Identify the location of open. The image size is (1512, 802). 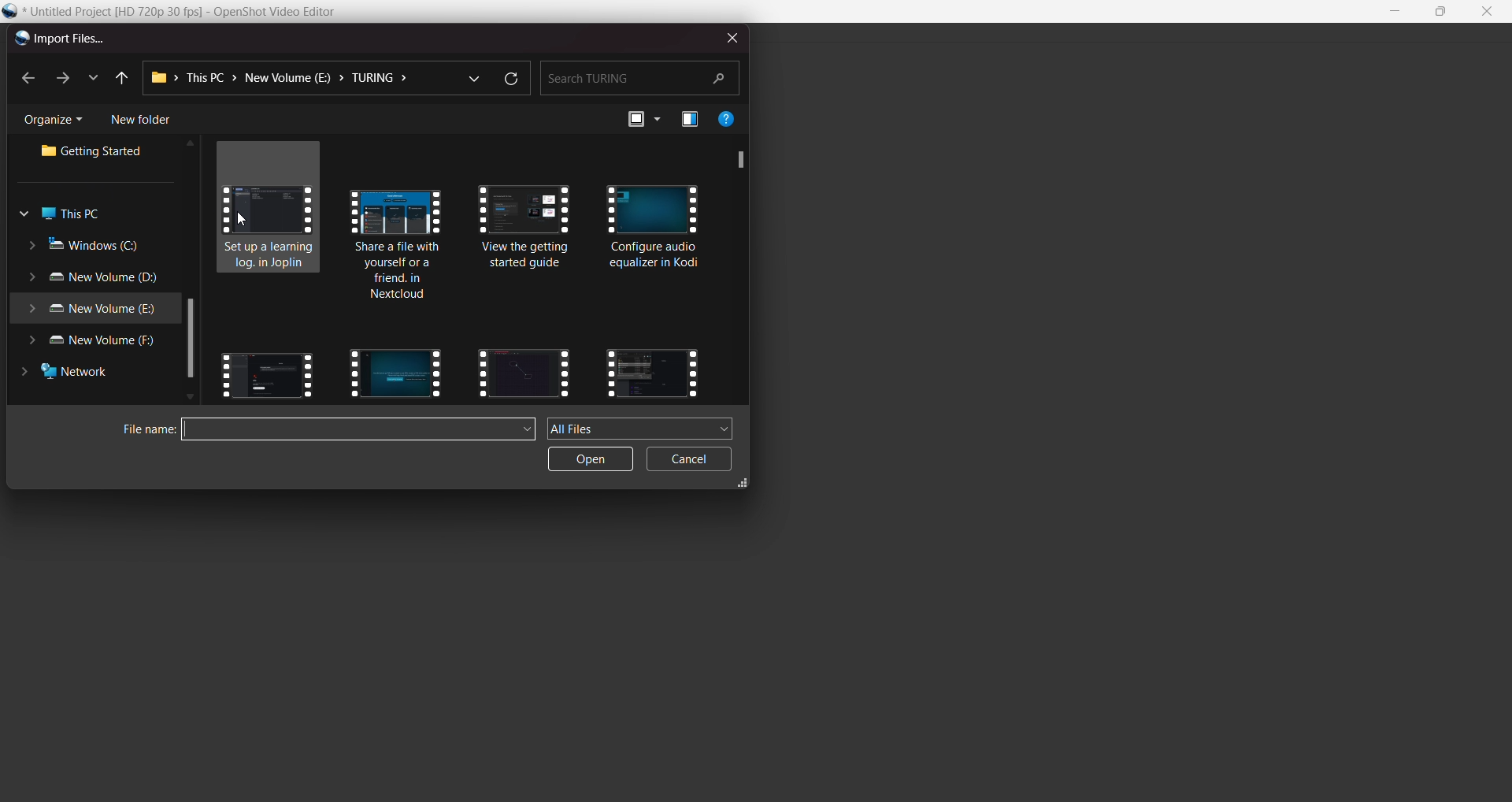
(591, 459).